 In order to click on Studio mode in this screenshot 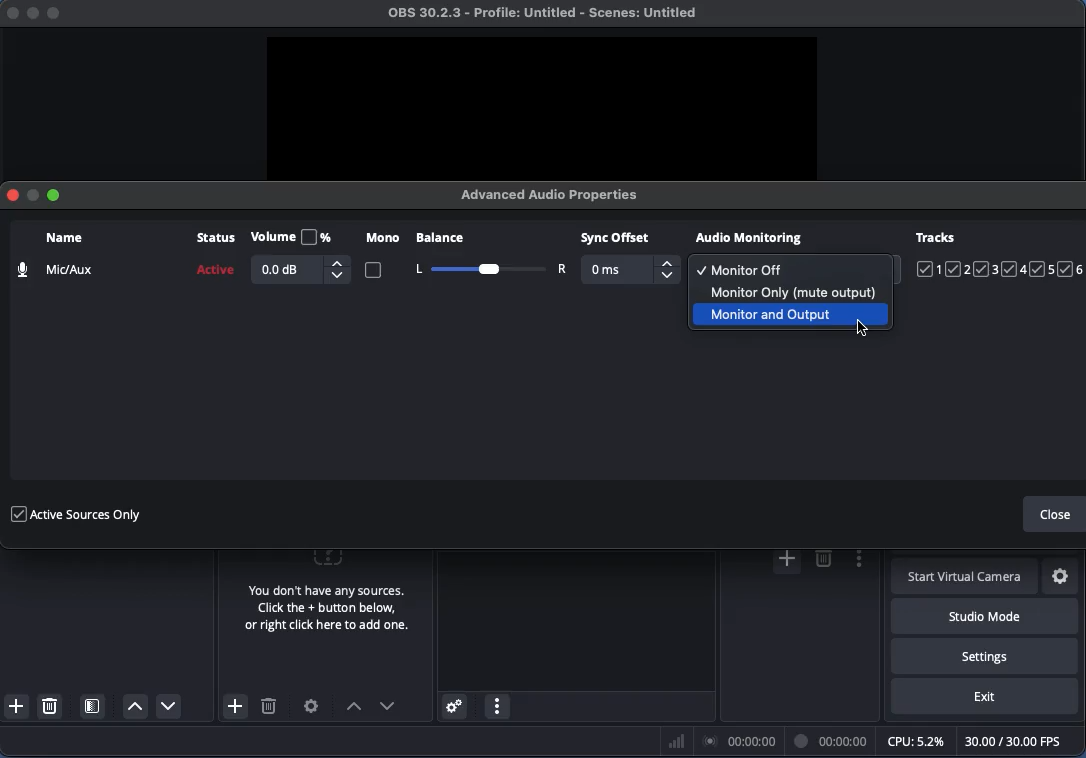, I will do `click(981, 616)`.